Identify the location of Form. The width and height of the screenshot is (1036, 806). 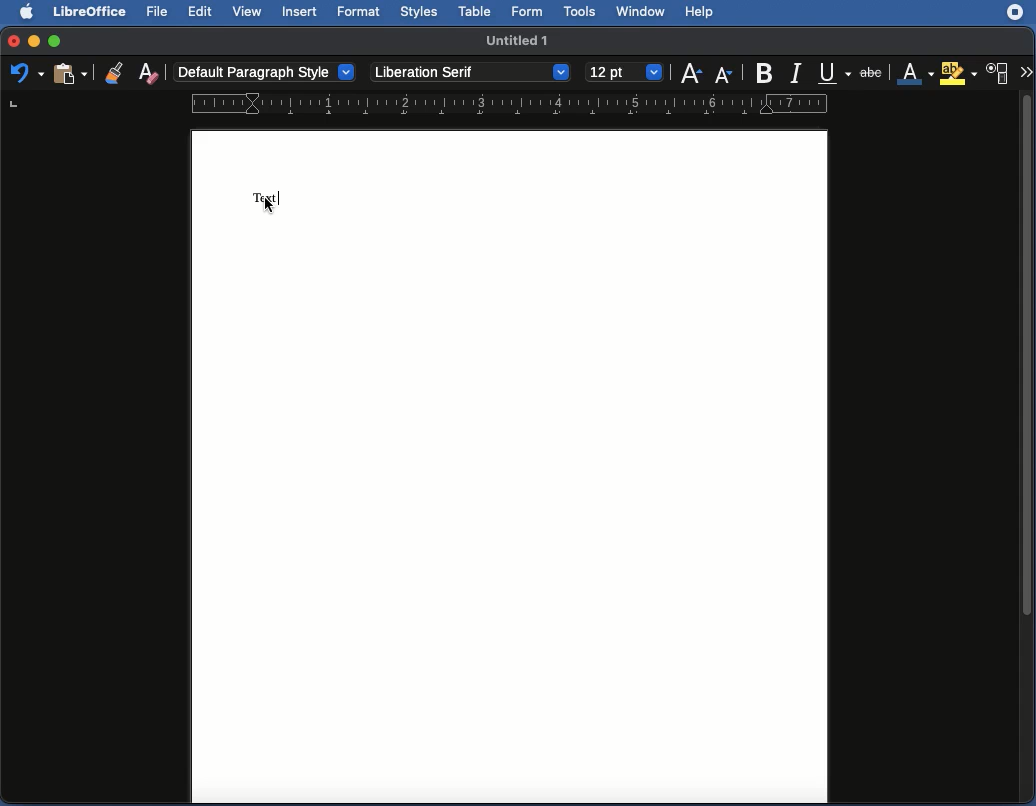
(530, 12).